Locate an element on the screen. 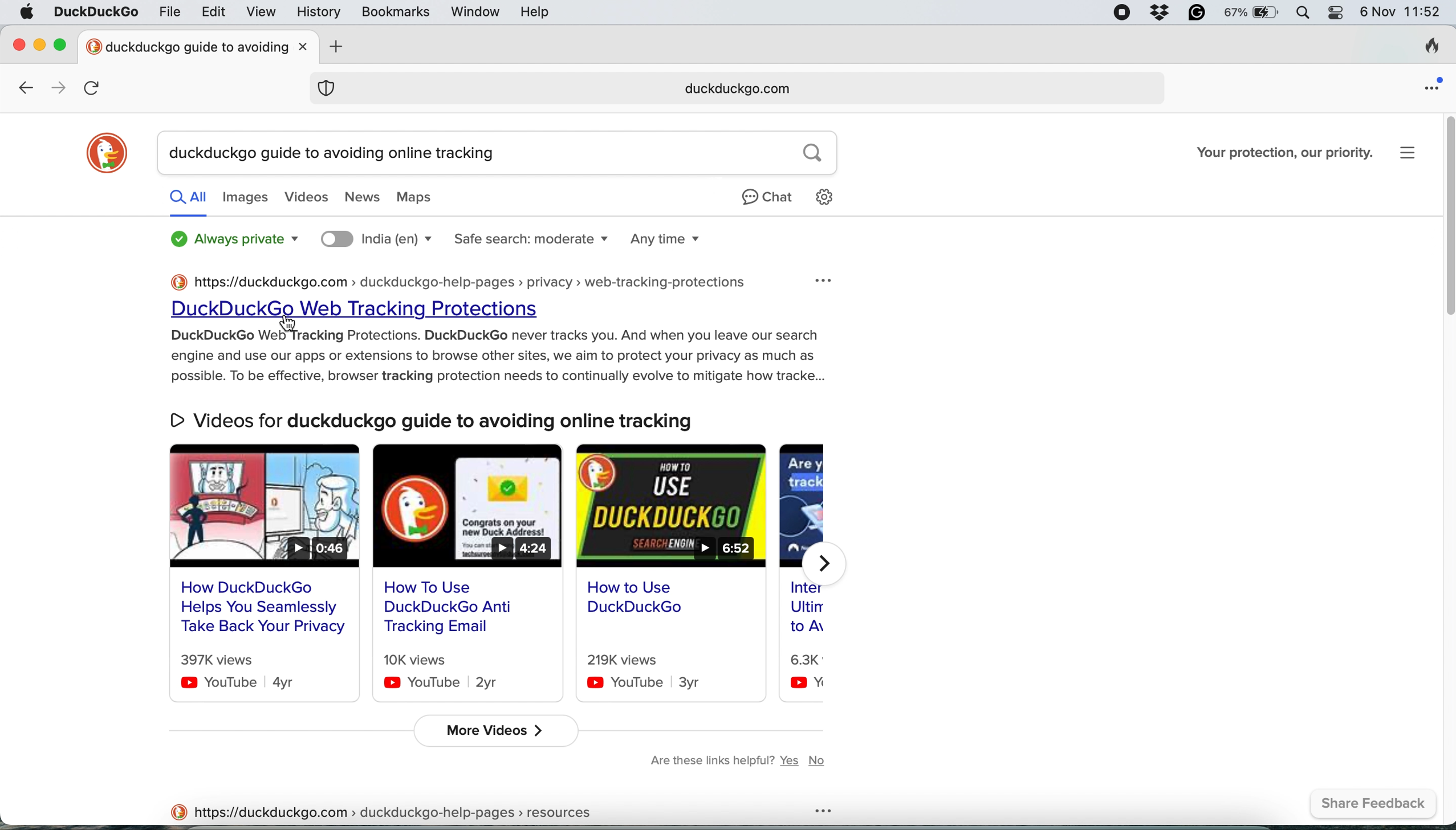 Image resolution: width=1456 pixels, height=830 pixels. How To Use
DuckDuckGo Anti
Tracking Email is located at coordinates (455, 607).